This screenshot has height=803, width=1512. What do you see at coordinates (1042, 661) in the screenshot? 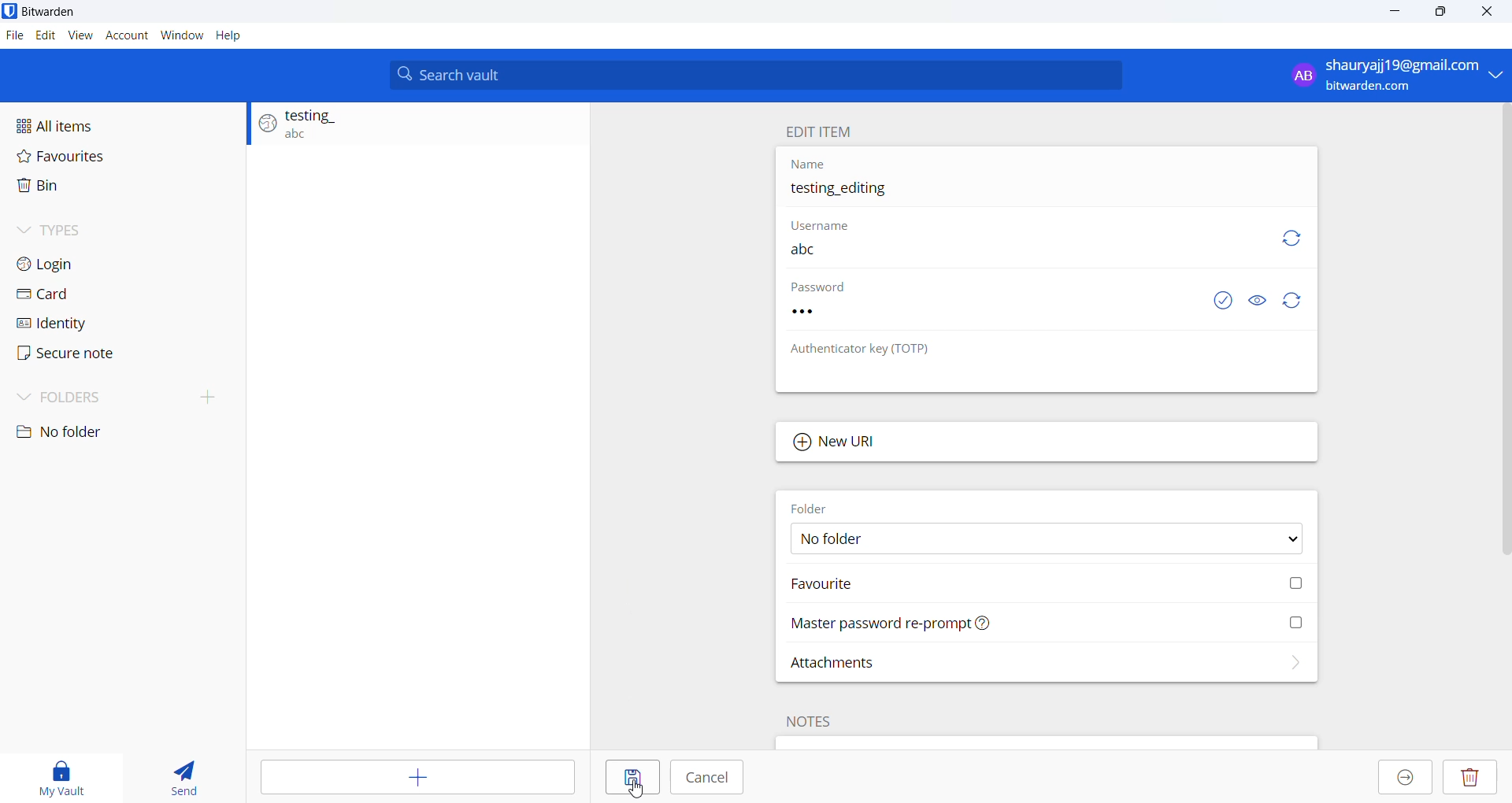
I see `Attachments` at bounding box center [1042, 661].